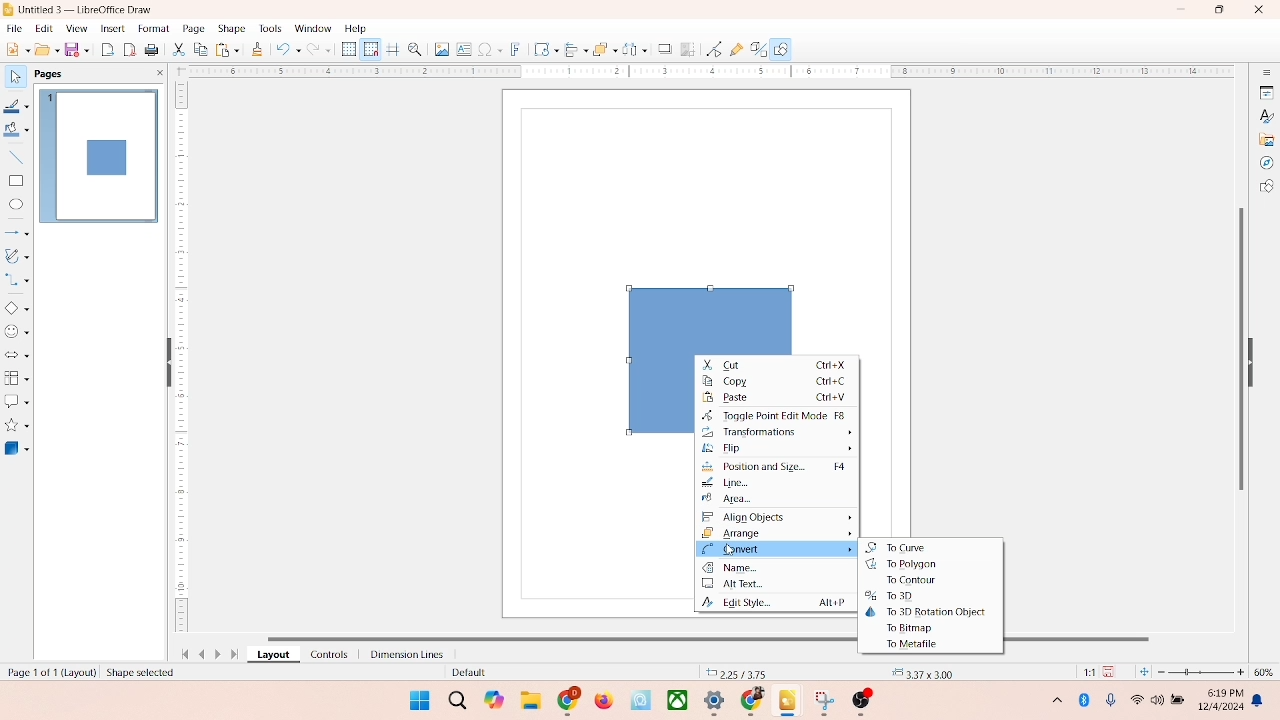 The image size is (1280, 720). Describe the element at coordinates (1256, 359) in the screenshot. I see `hide` at that location.